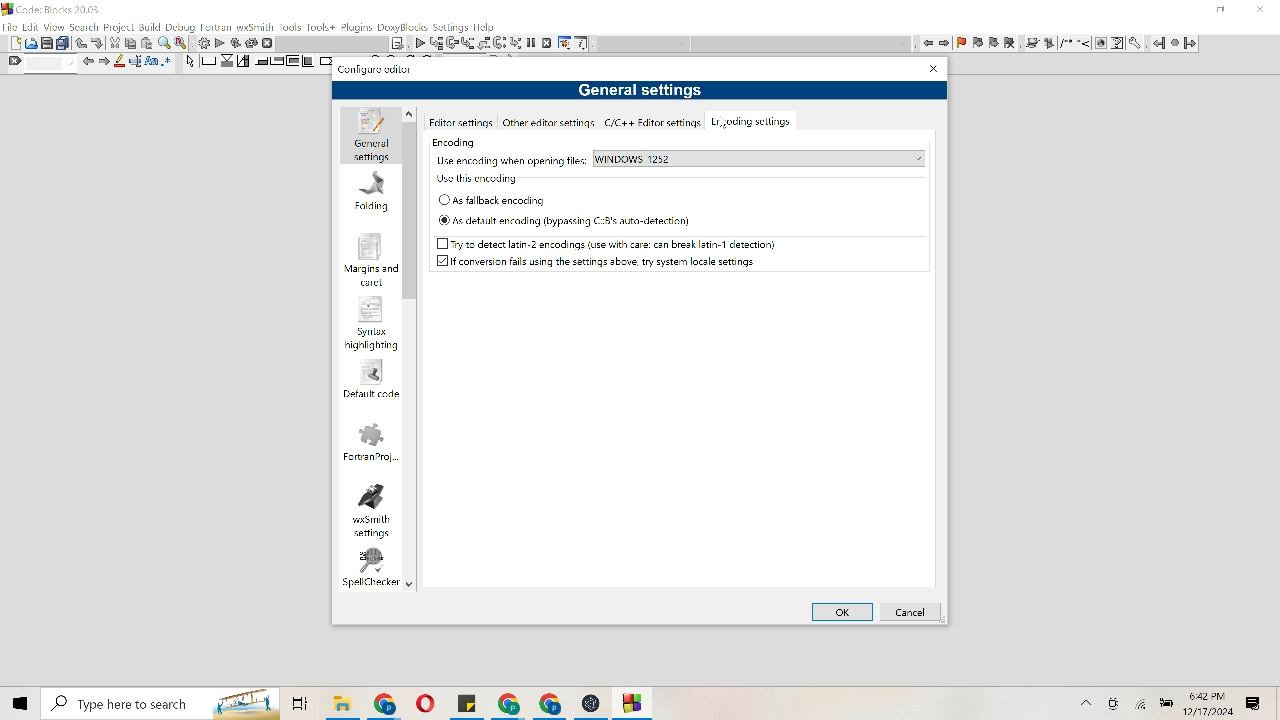 Image resolution: width=1280 pixels, height=720 pixels. I want to click on Folding, so click(371, 192).